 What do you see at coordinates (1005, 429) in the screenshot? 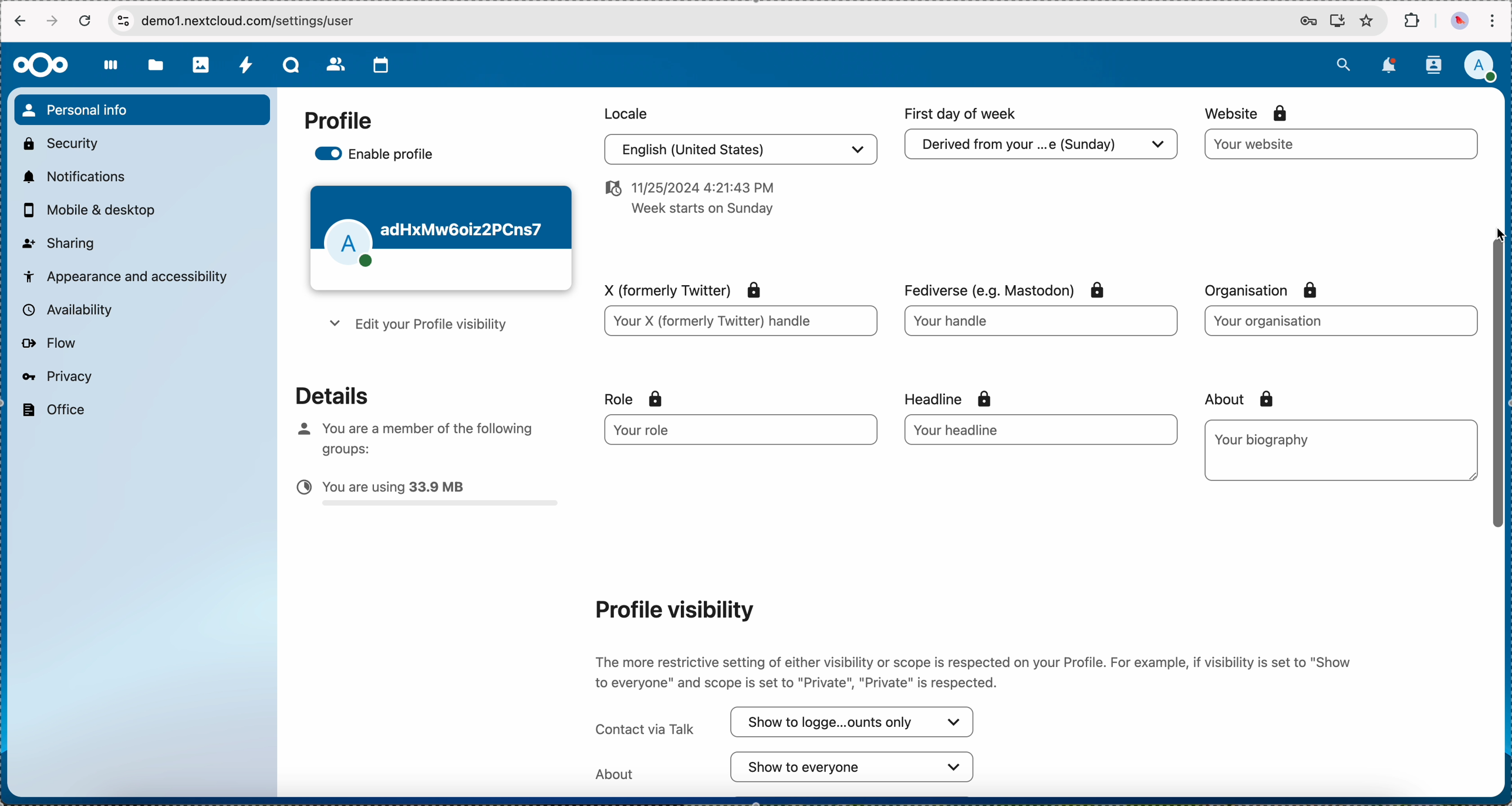
I see `your headline` at bounding box center [1005, 429].